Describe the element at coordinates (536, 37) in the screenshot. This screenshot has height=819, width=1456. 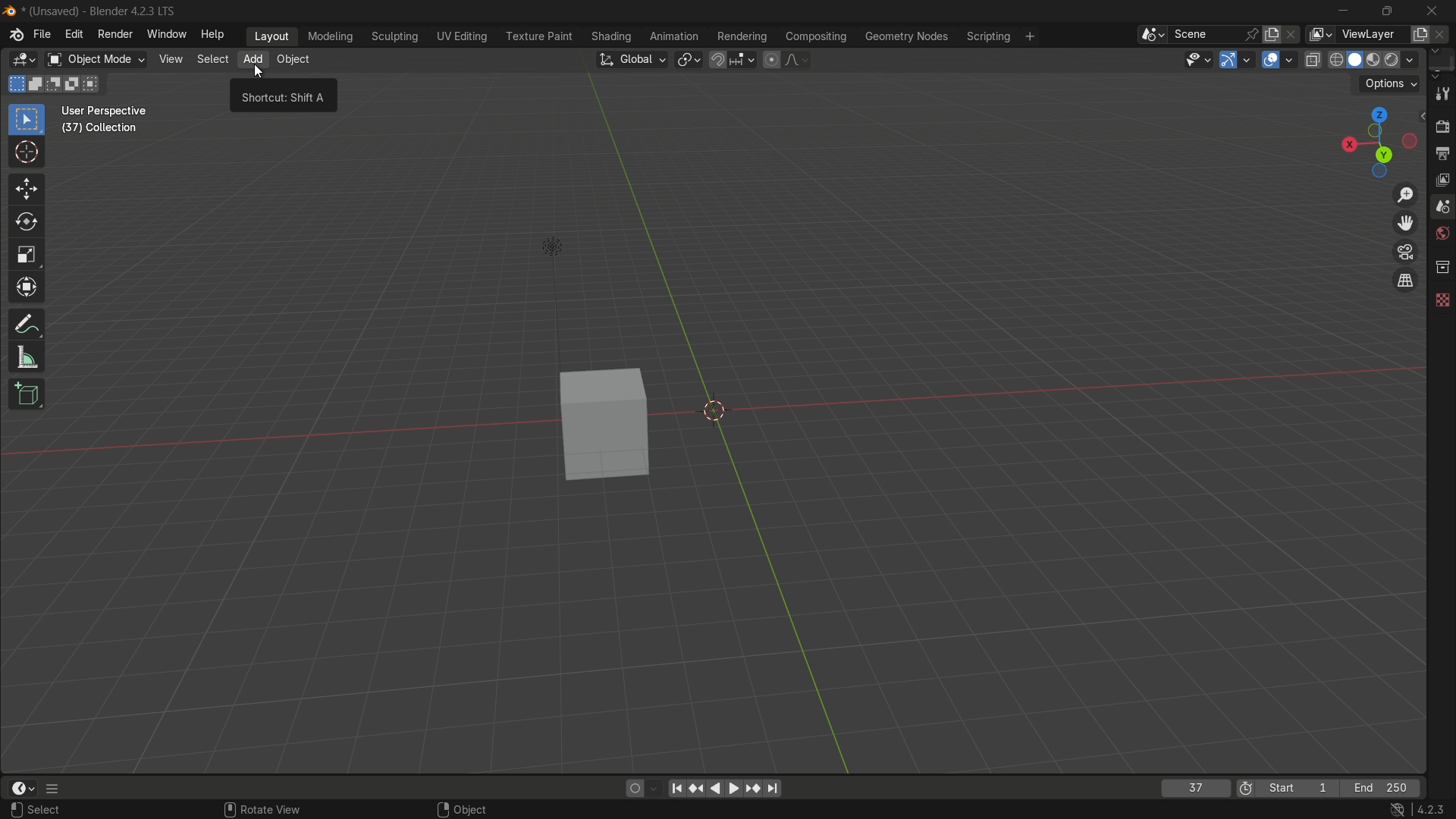
I see `texture menu` at that location.